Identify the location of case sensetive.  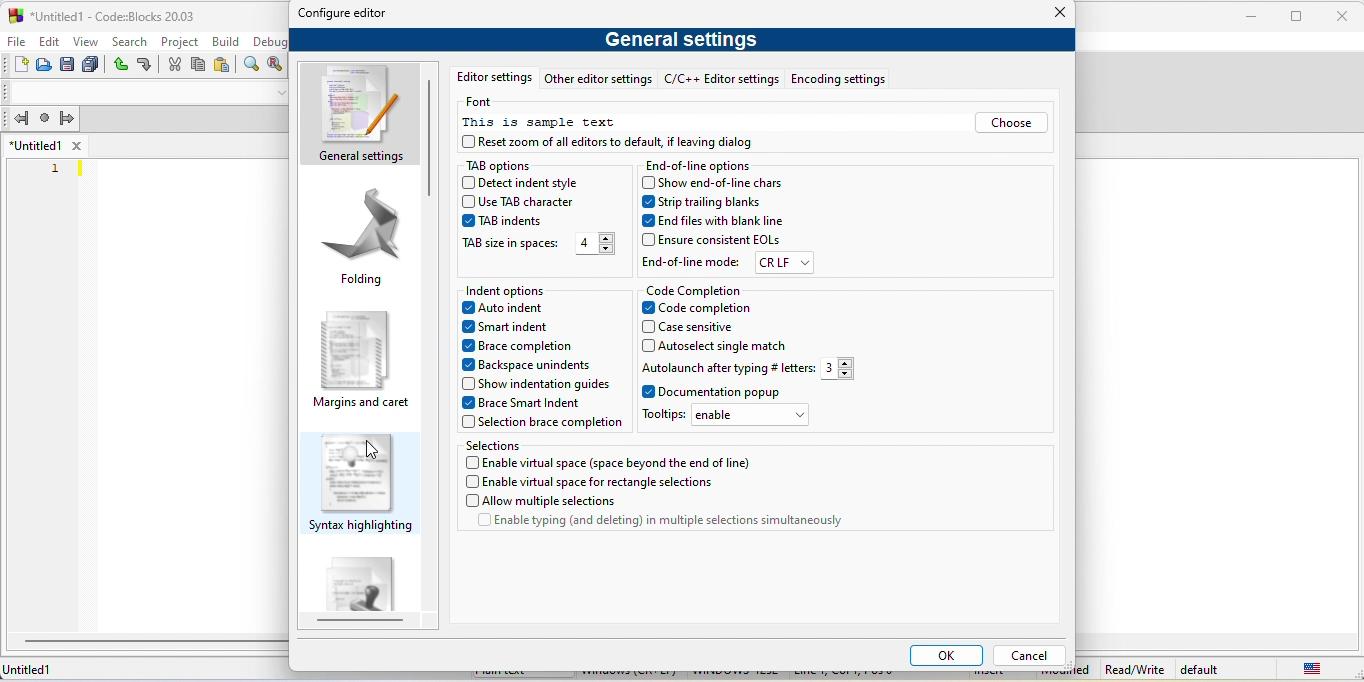
(729, 327).